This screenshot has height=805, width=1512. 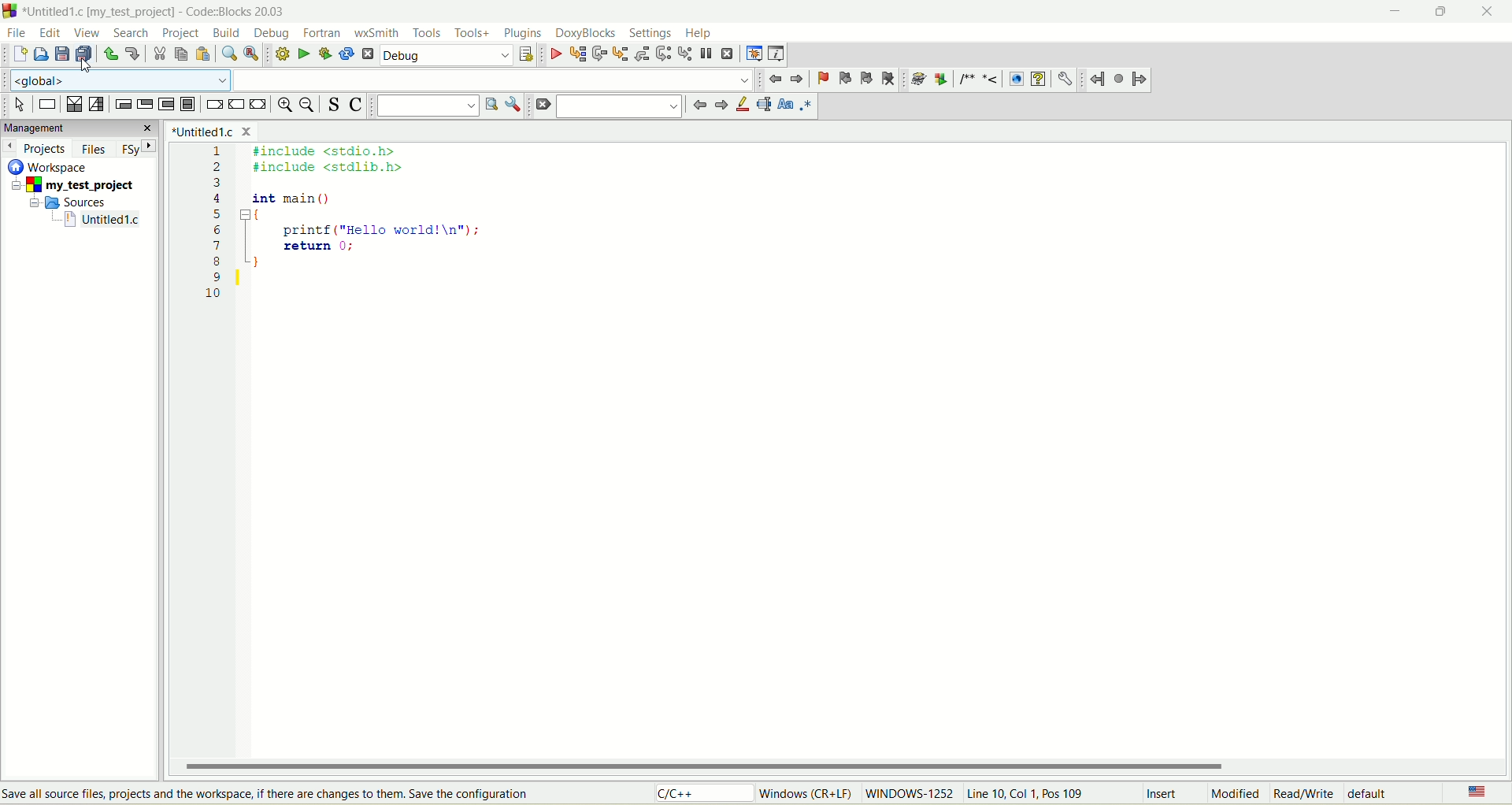 What do you see at coordinates (806, 106) in the screenshot?
I see `regex` at bounding box center [806, 106].